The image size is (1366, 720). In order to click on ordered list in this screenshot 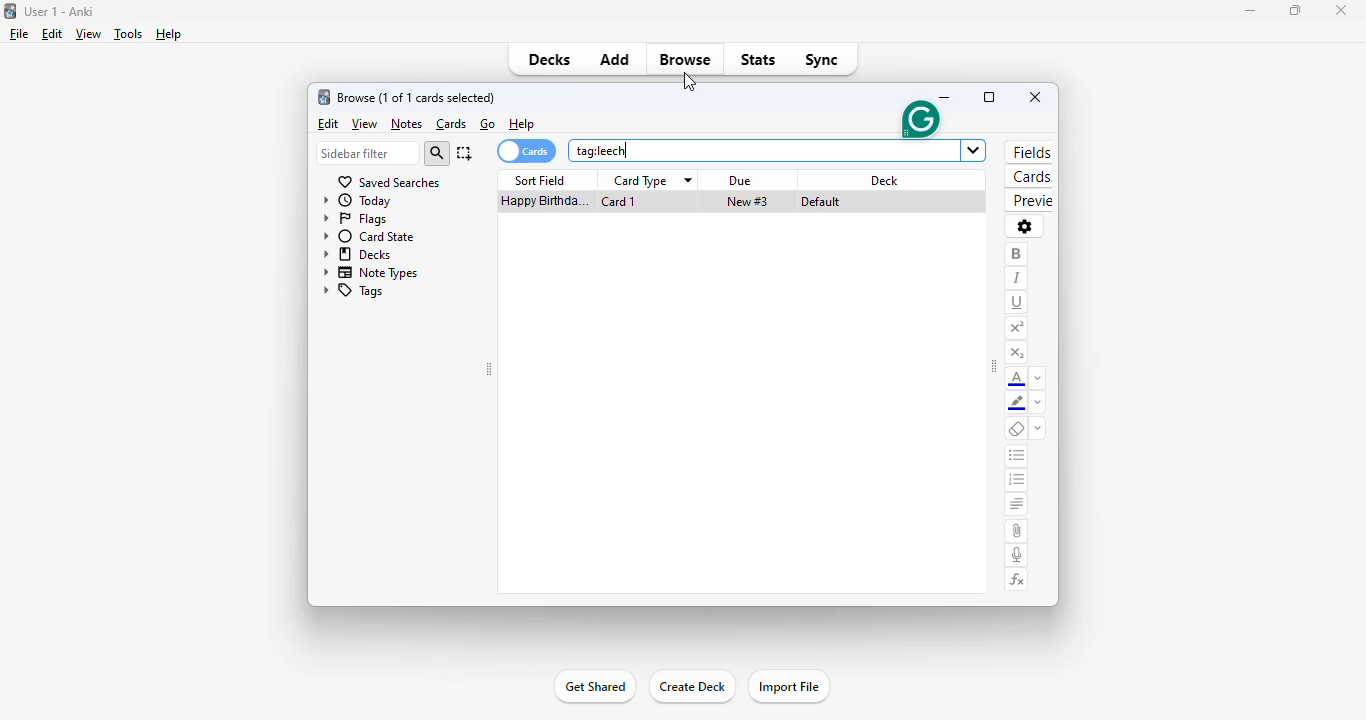, I will do `click(1016, 480)`.